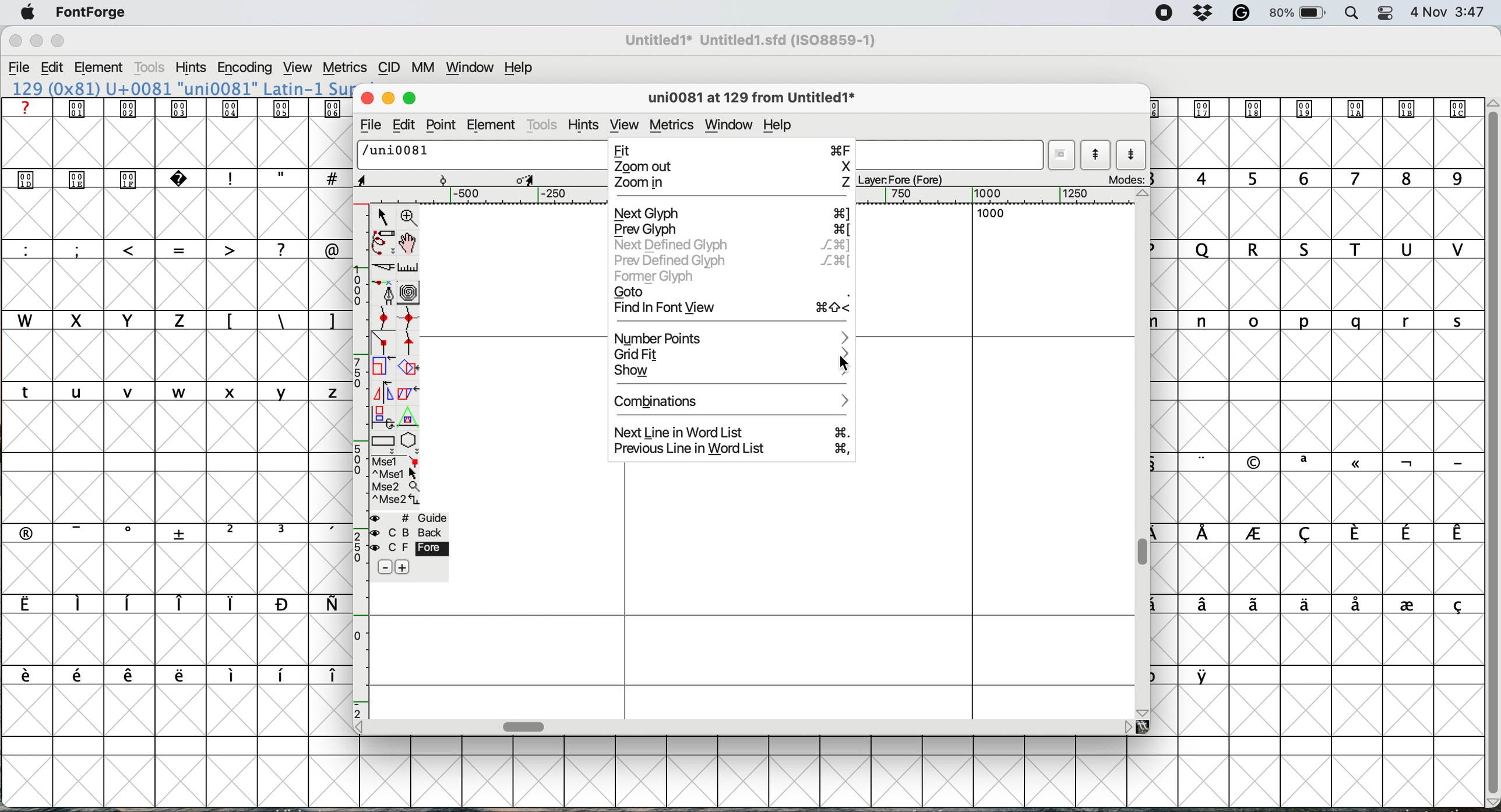 The image size is (1501, 812). Describe the element at coordinates (361, 728) in the screenshot. I see `Scroll Button` at that location.